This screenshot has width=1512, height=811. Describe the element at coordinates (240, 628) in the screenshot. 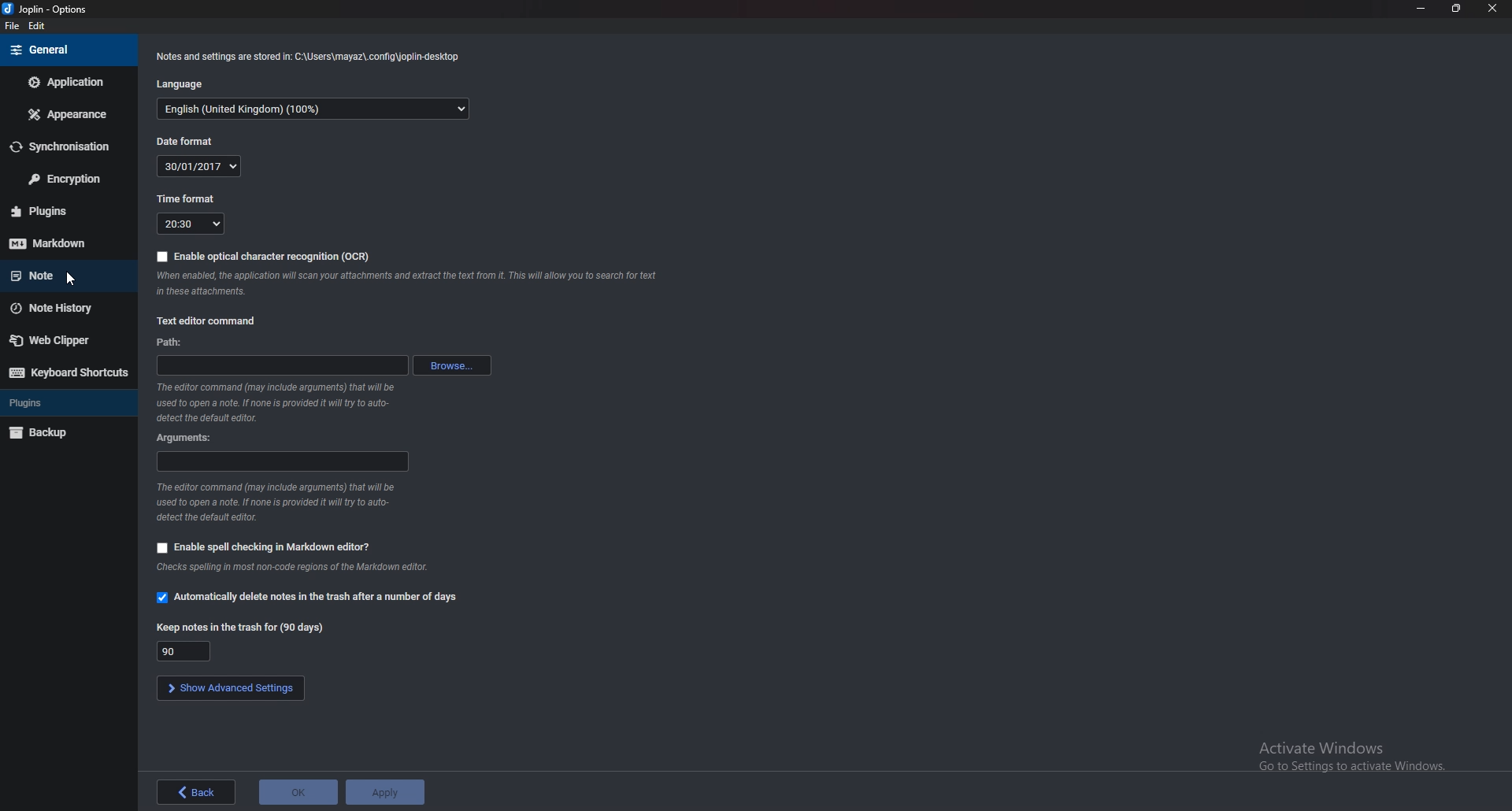

I see `Keep notes in the trash for` at that location.